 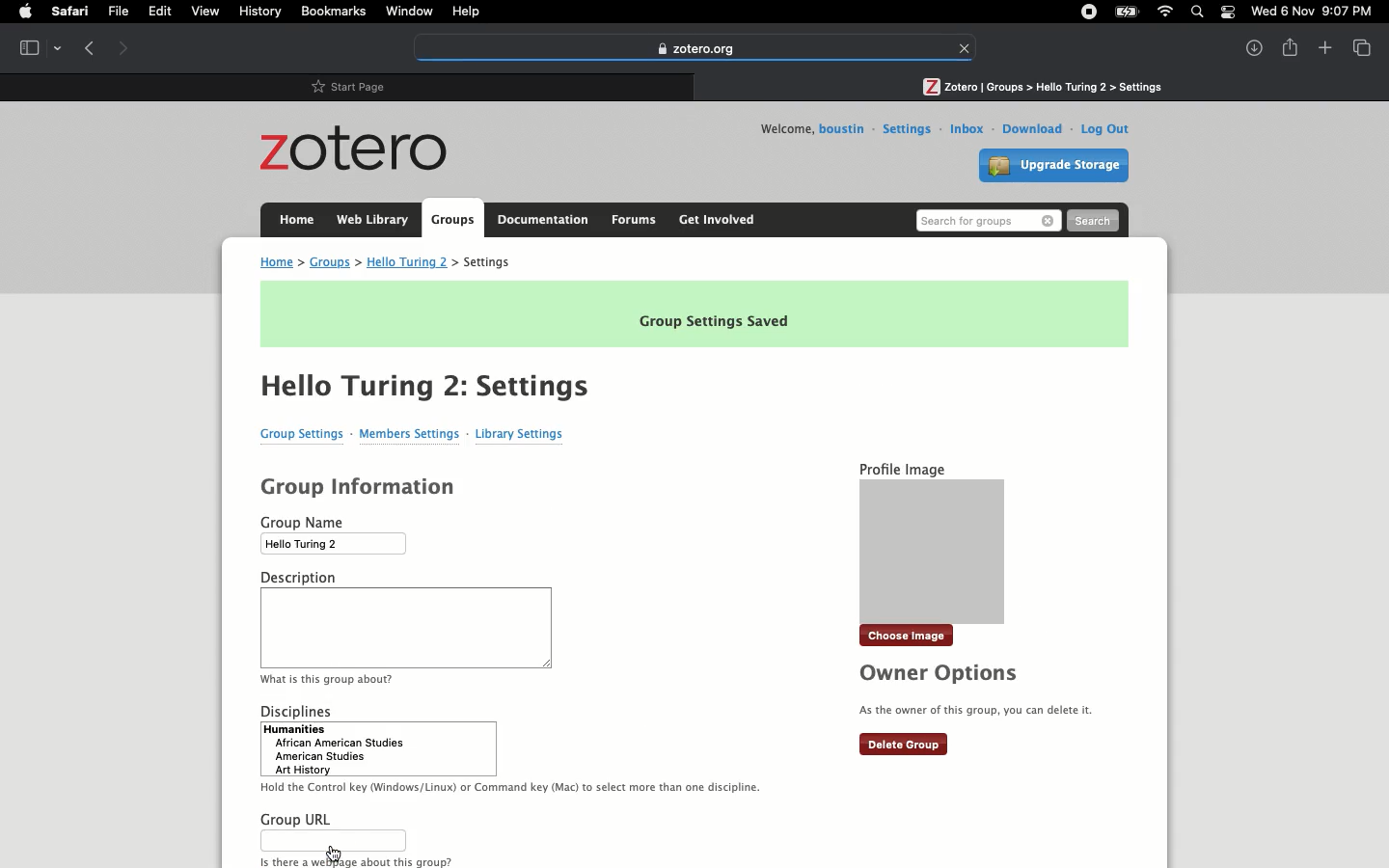 What do you see at coordinates (292, 218) in the screenshot?
I see `Home` at bounding box center [292, 218].